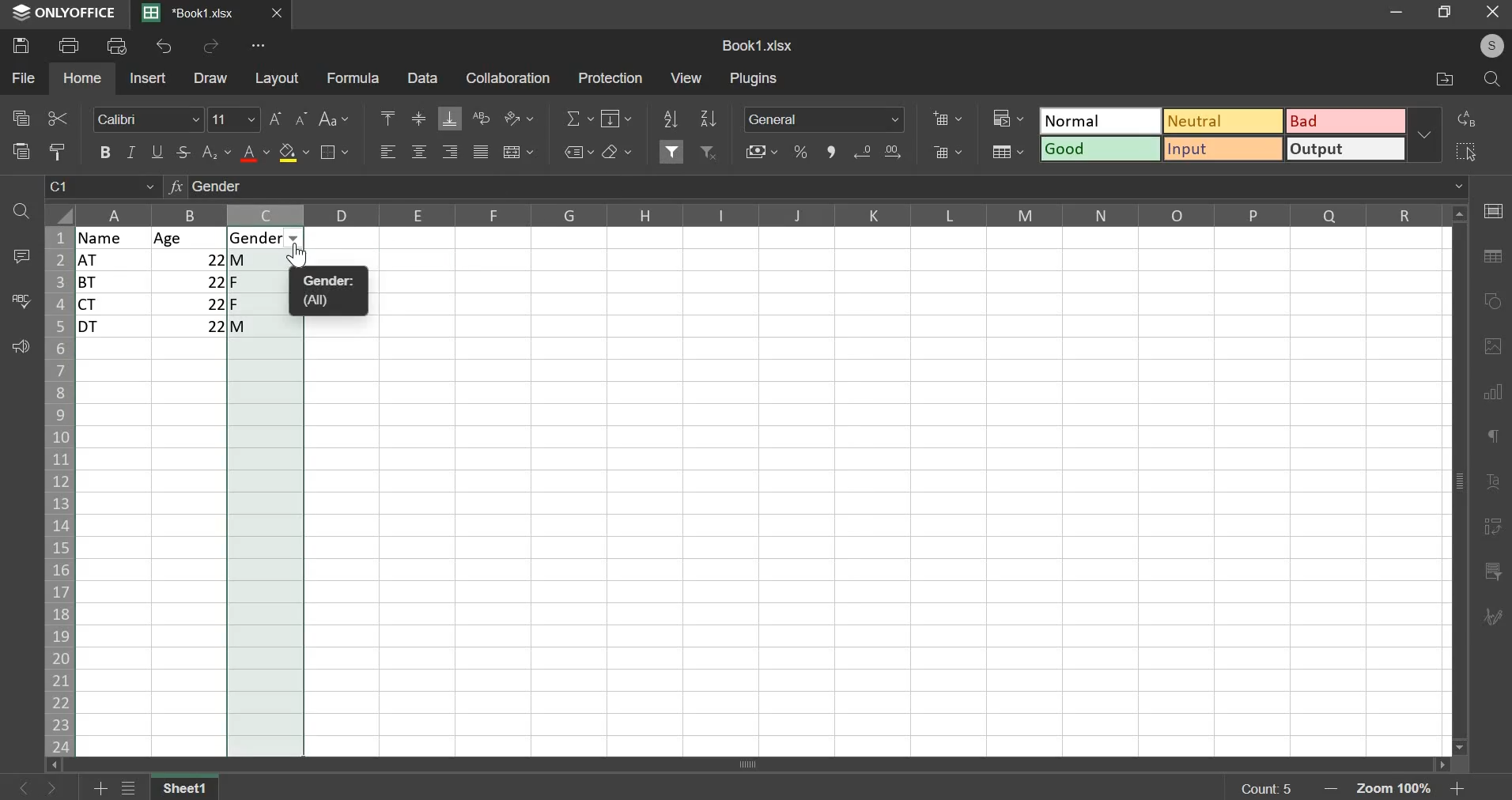 The height and width of the screenshot is (800, 1512). Describe the element at coordinates (58, 151) in the screenshot. I see `copy style` at that location.